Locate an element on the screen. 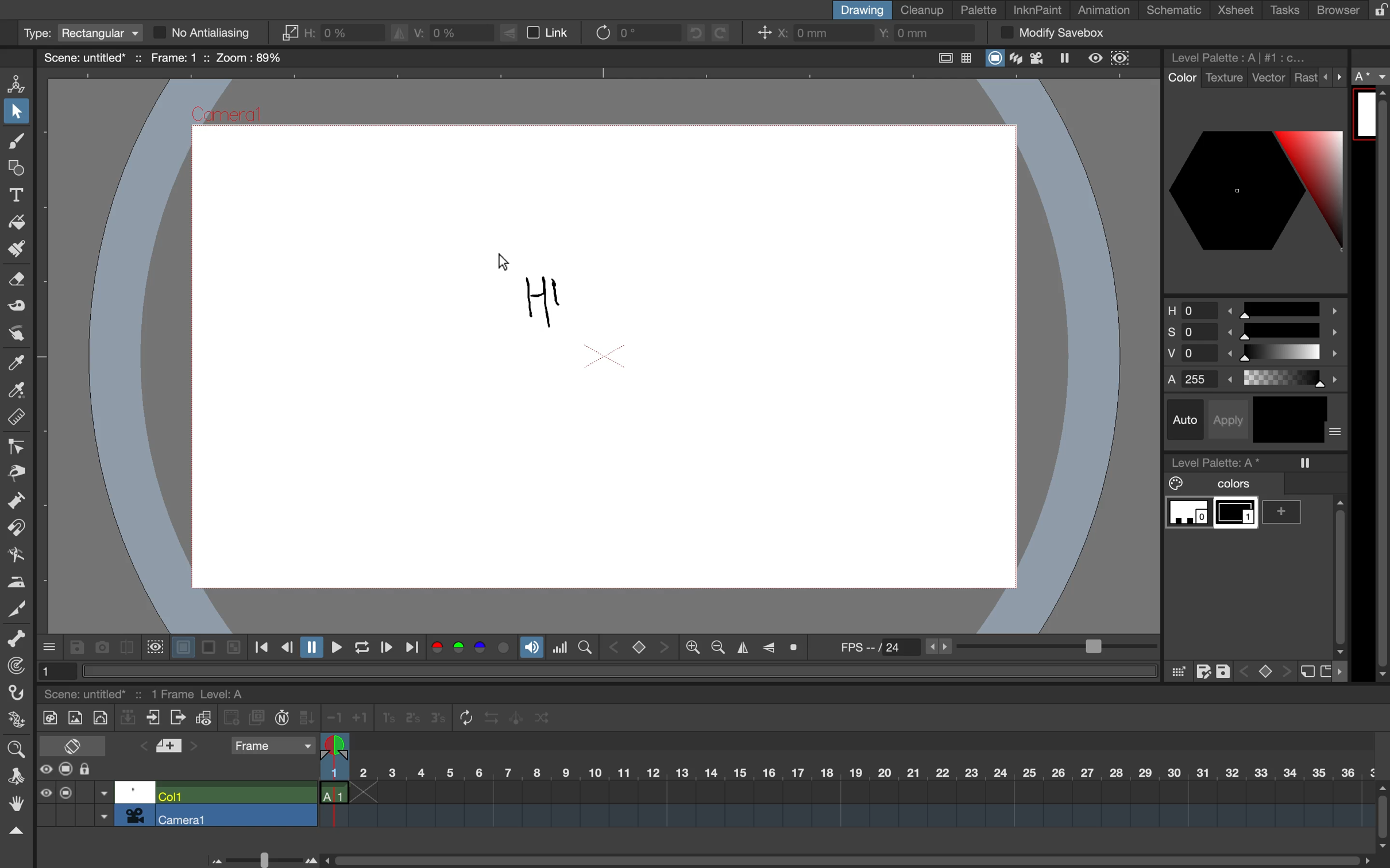 This screenshot has height=868, width=1390. play is located at coordinates (333, 647).